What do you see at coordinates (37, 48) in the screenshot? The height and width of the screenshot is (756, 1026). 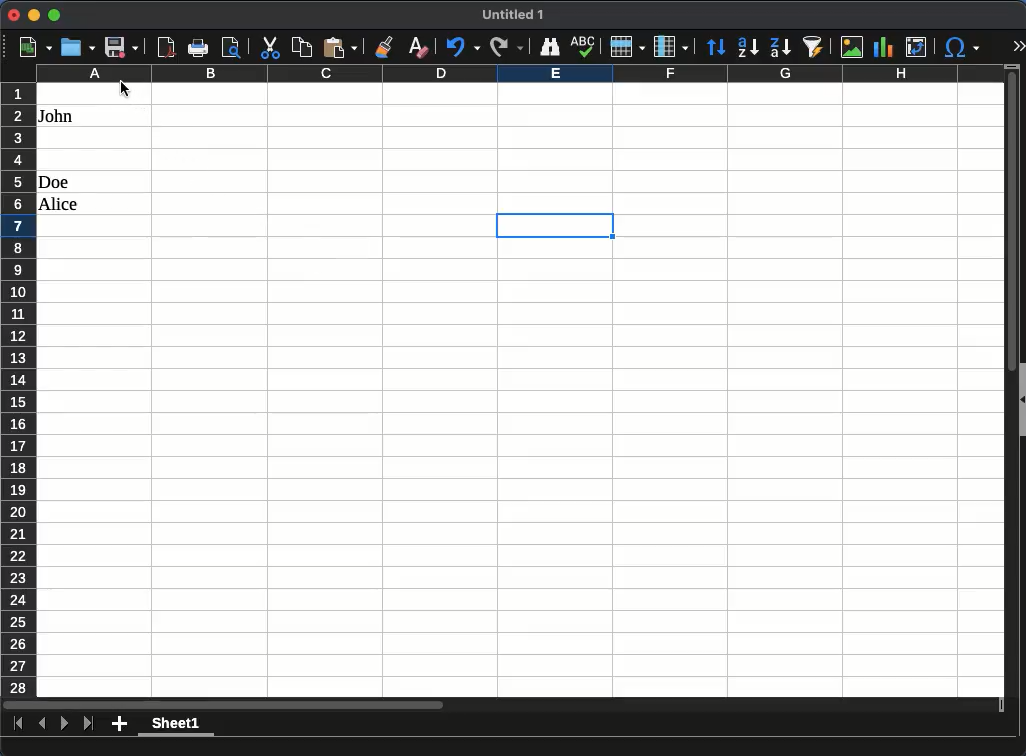 I see `new` at bounding box center [37, 48].